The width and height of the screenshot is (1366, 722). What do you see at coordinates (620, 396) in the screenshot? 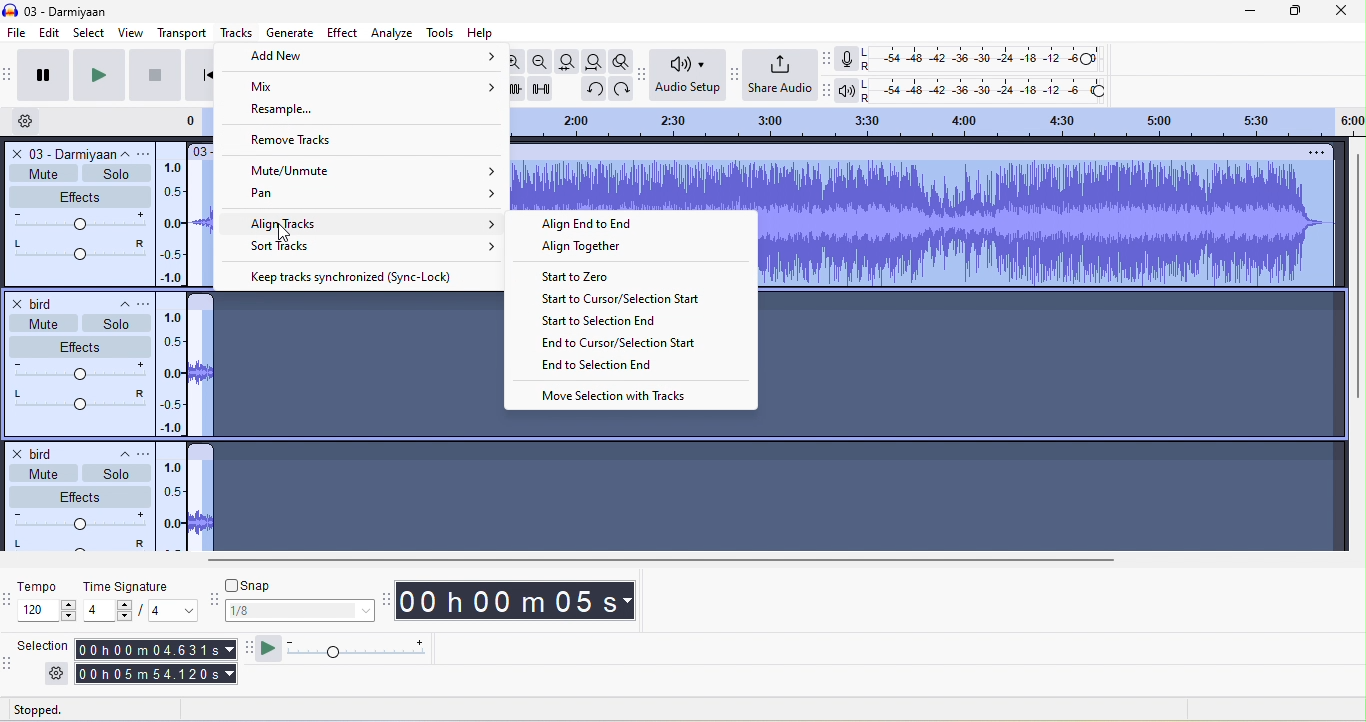
I see `move selection with tracks` at bounding box center [620, 396].